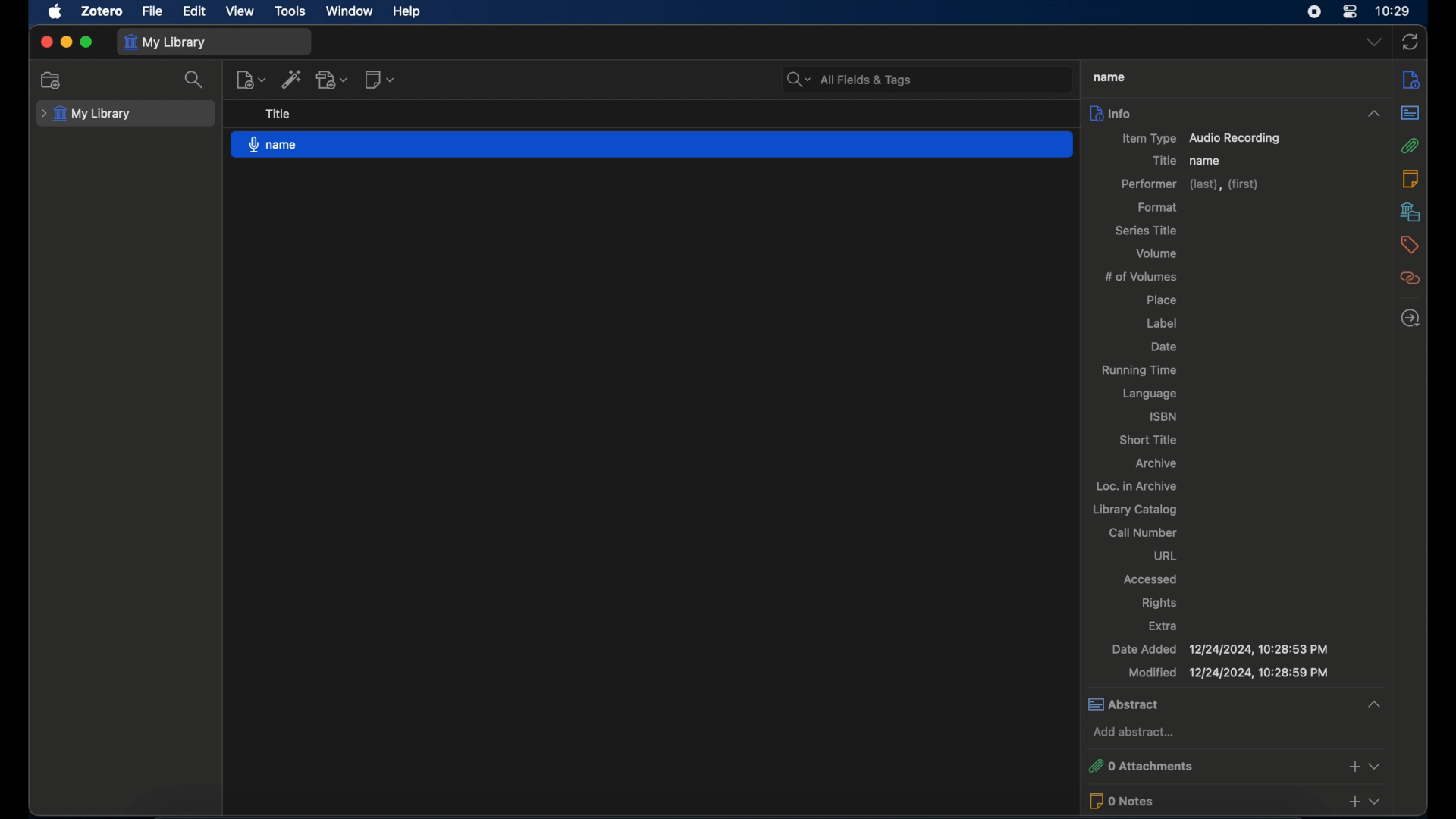 The image size is (1456, 819). Describe the element at coordinates (1161, 416) in the screenshot. I see `sbn` at that location.